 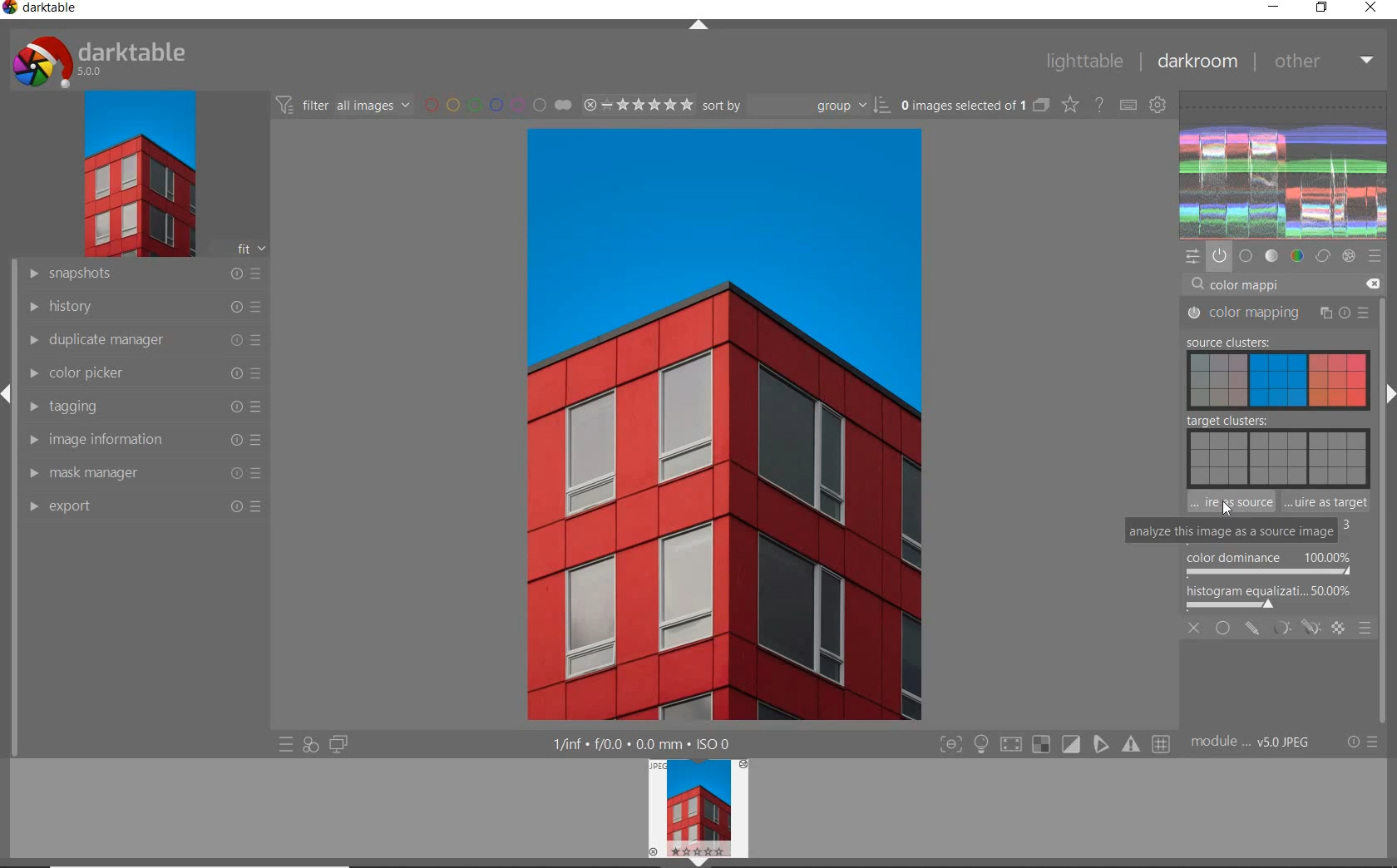 What do you see at coordinates (673, 424) in the screenshot?
I see `selected image ` at bounding box center [673, 424].